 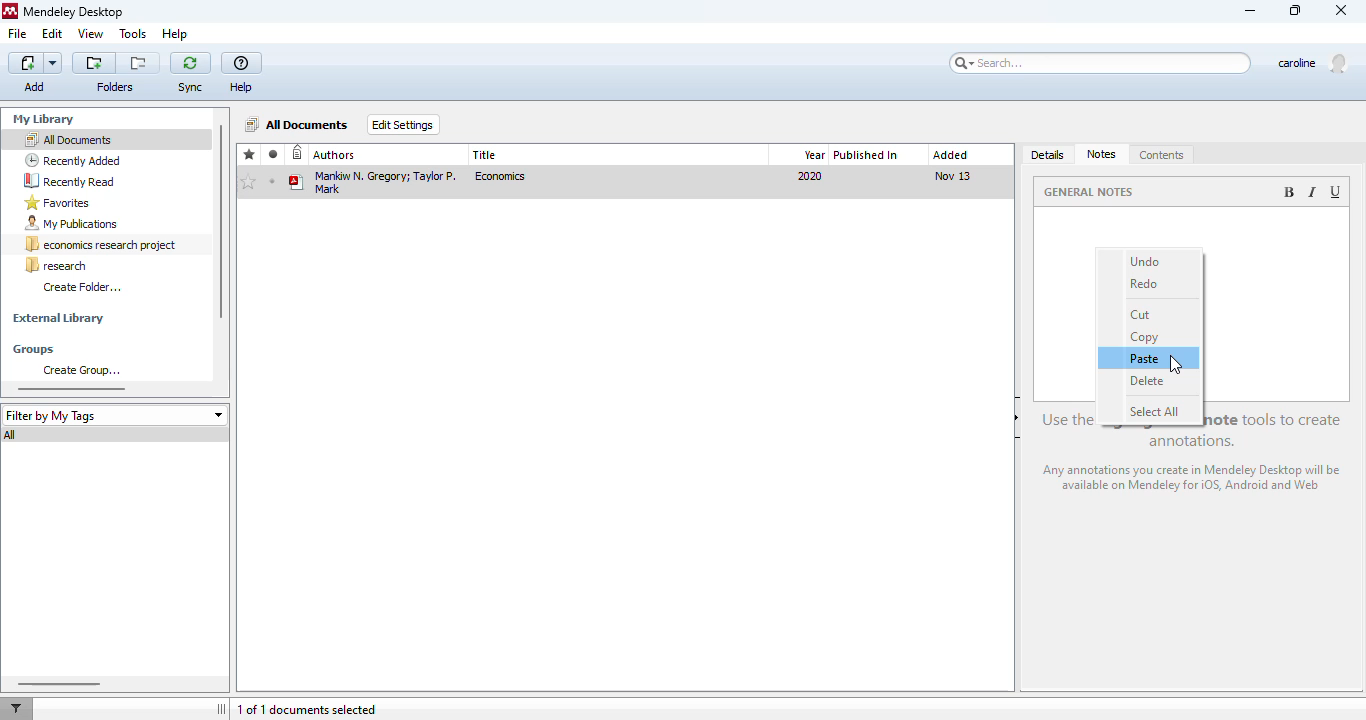 What do you see at coordinates (73, 160) in the screenshot?
I see `recently added` at bounding box center [73, 160].